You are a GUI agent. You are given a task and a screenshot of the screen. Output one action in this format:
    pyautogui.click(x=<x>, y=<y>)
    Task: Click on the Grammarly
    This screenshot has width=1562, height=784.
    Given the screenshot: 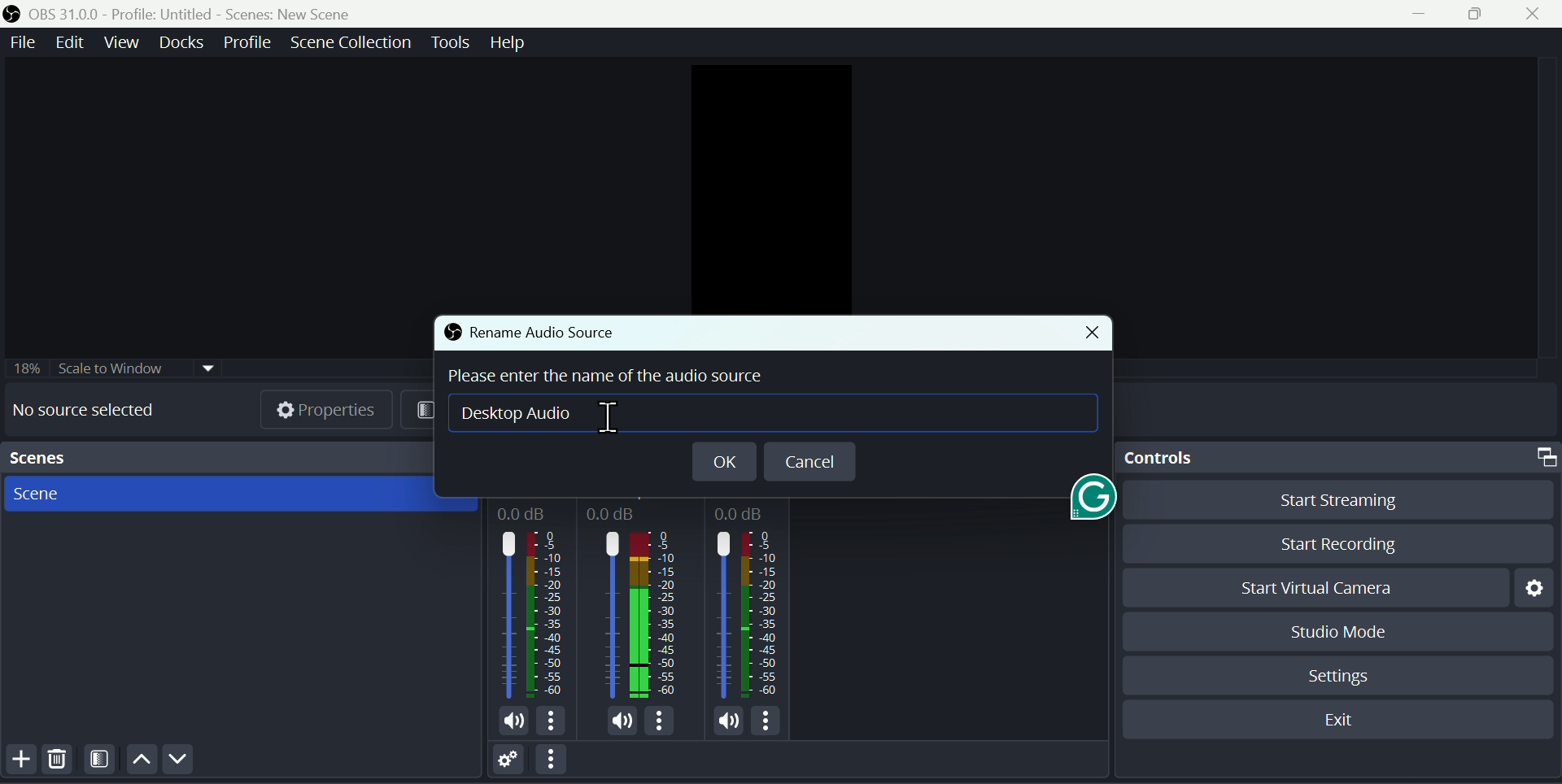 What is the action you would take?
    pyautogui.click(x=1088, y=503)
    